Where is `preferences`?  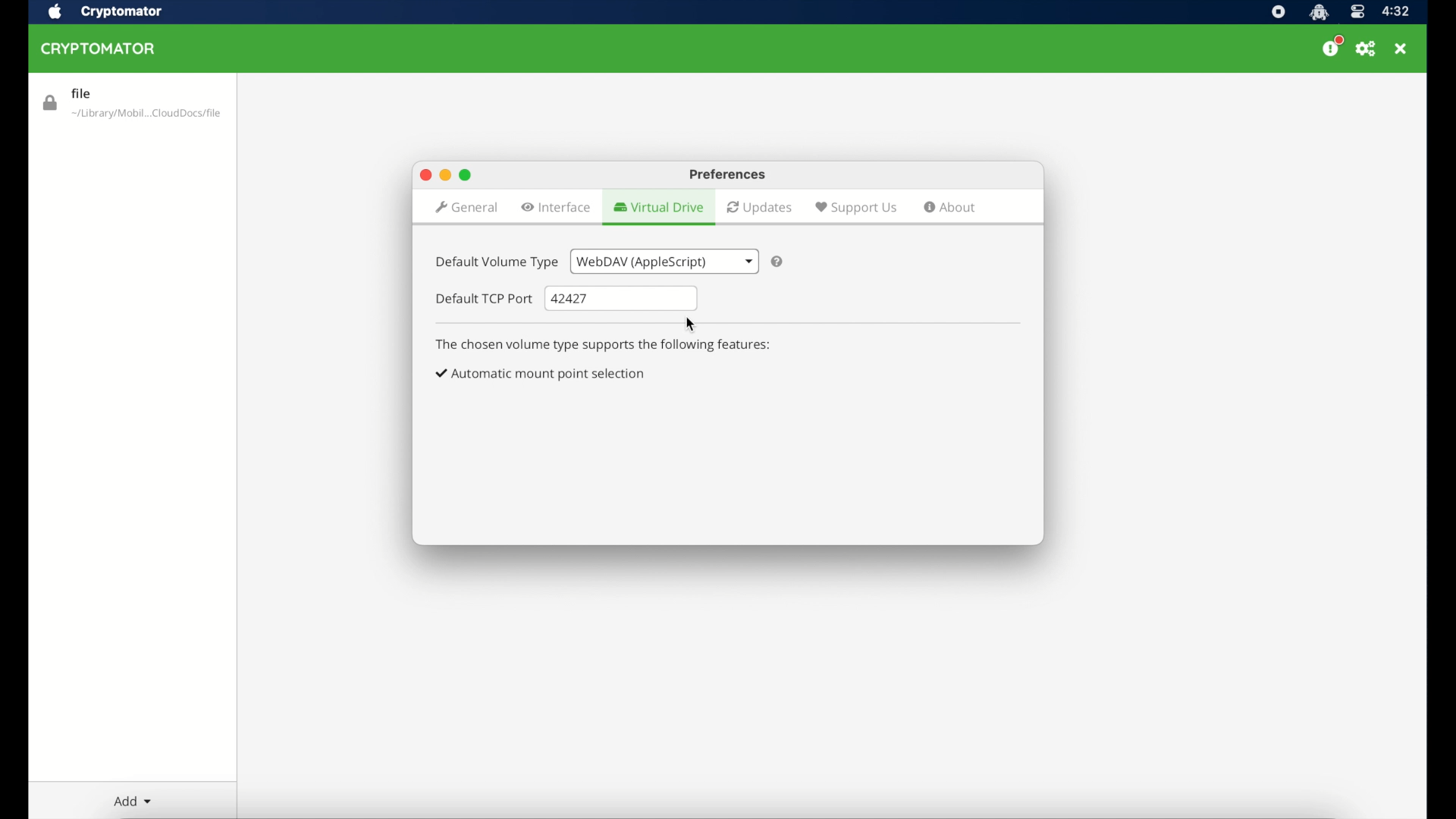
preferences is located at coordinates (728, 175).